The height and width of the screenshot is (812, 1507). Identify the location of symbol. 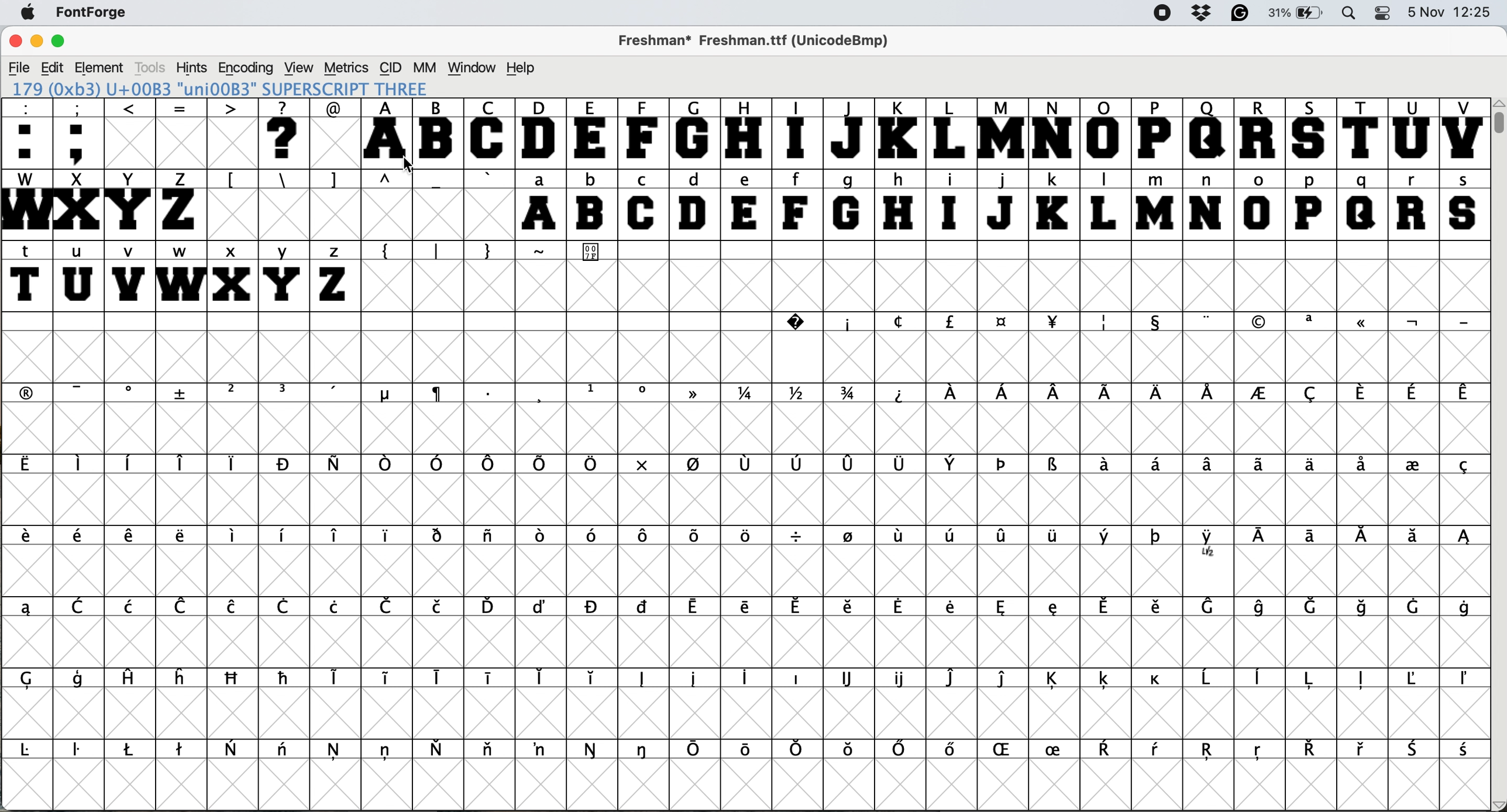
(747, 748).